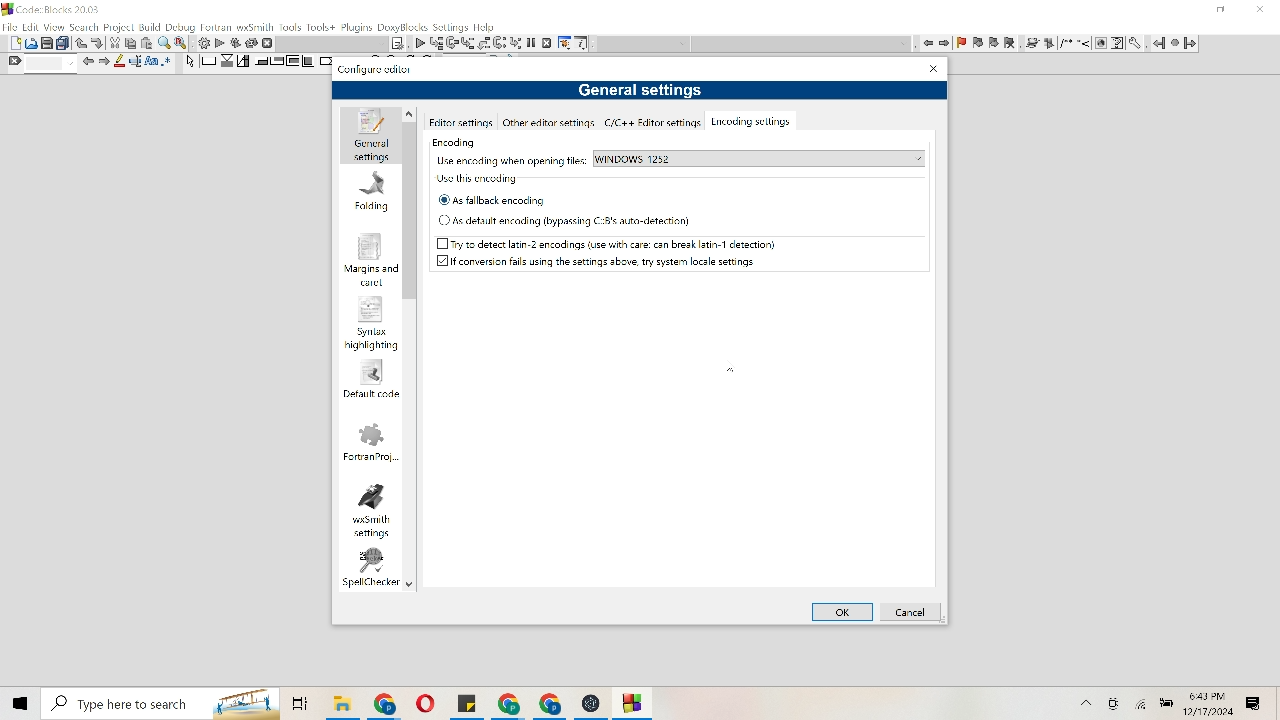  What do you see at coordinates (40, 64) in the screenshot?
I see `Find` at bounding box center [40, 64].